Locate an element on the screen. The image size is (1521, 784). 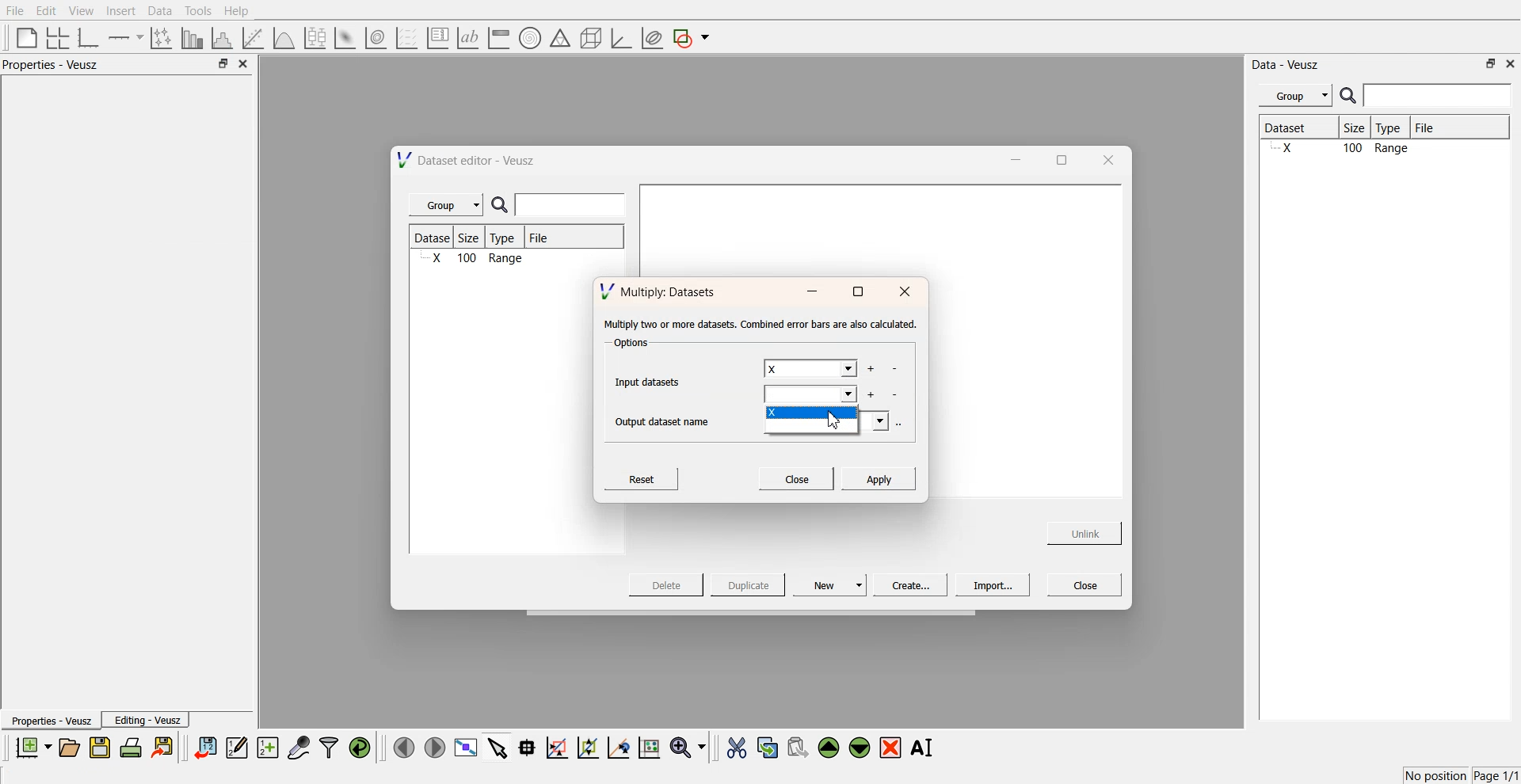
Editing - Veusz is located at coordinates (147, 720).